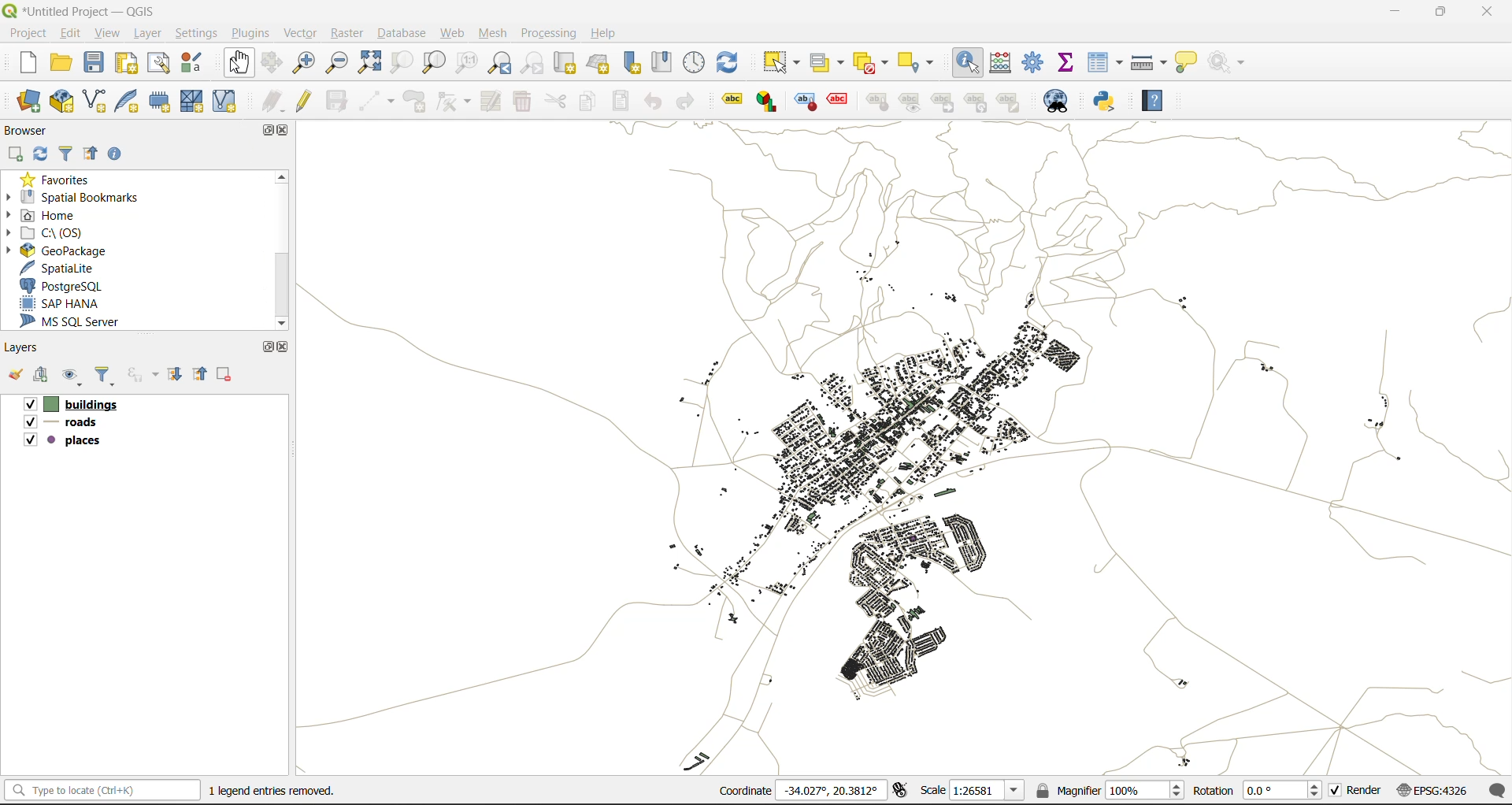 The image size is (1512, 805). Describe the element at coordinates (70, 153) in the screenshot. I see `filter` at that location.